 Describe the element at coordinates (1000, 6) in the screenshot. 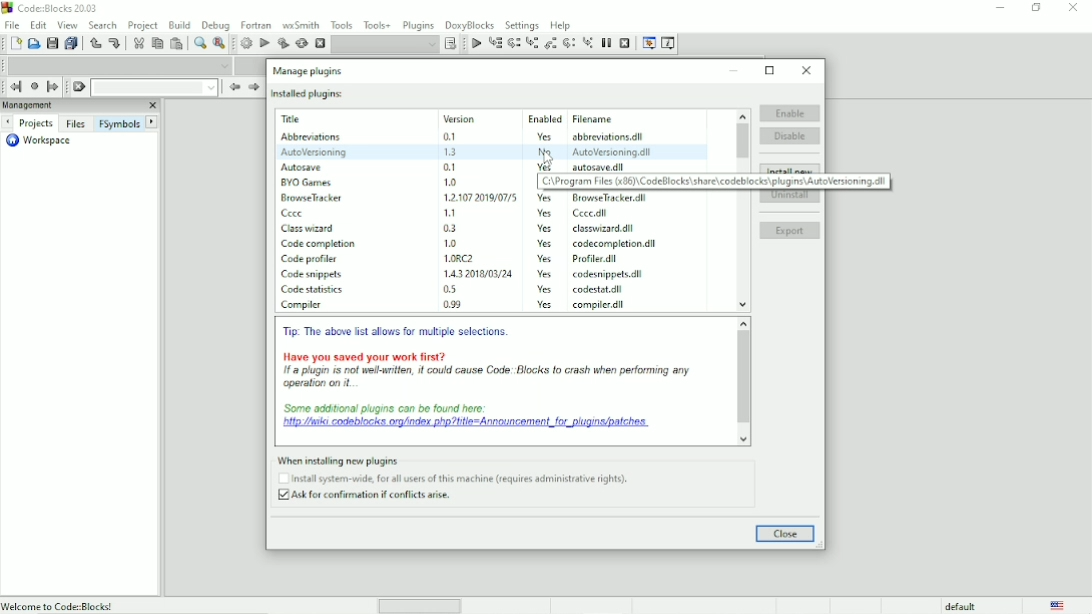

I see `Minimize` at that location.